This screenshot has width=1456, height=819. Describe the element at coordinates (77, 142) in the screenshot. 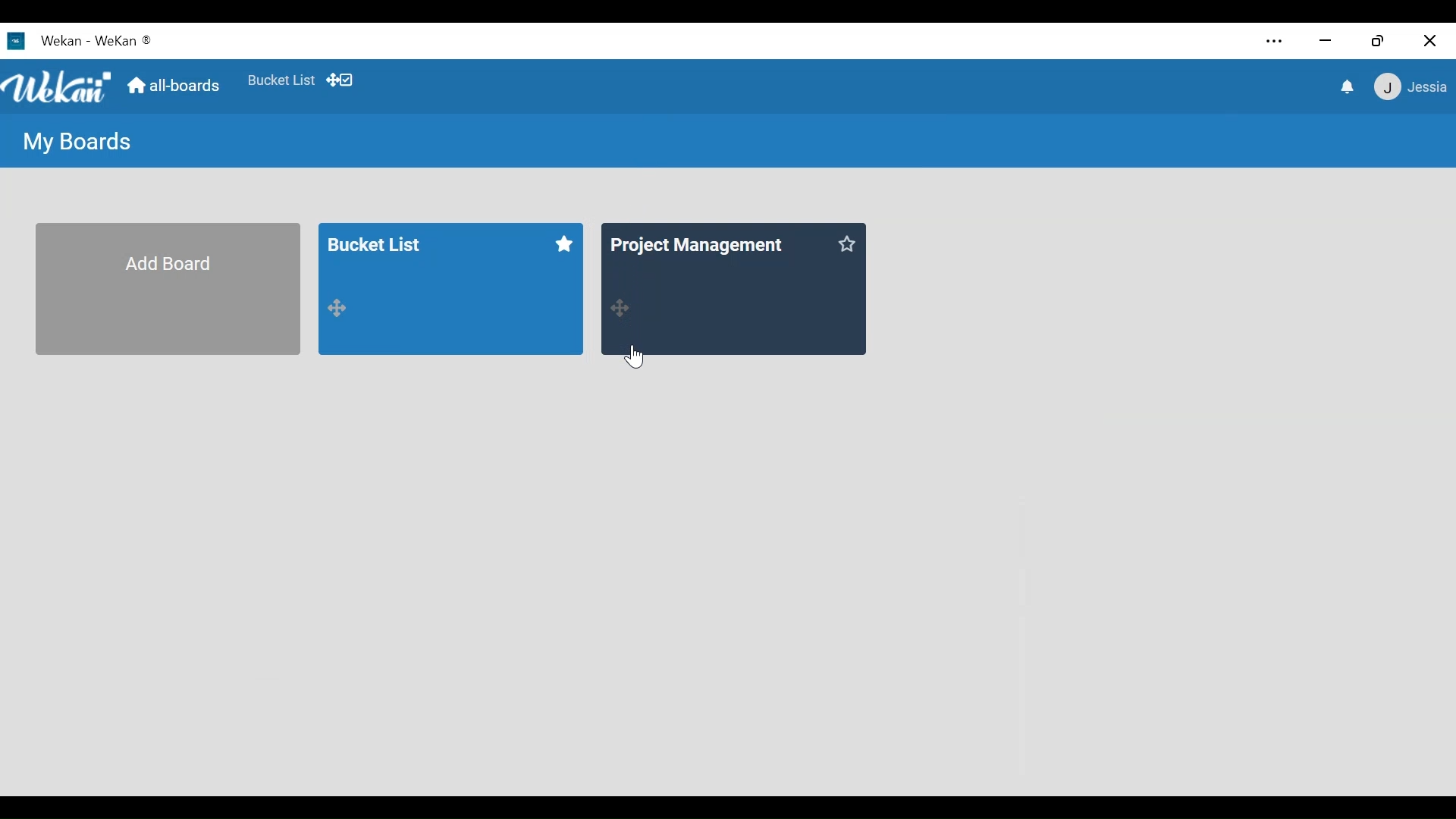

I see `My  Boards` at that location.